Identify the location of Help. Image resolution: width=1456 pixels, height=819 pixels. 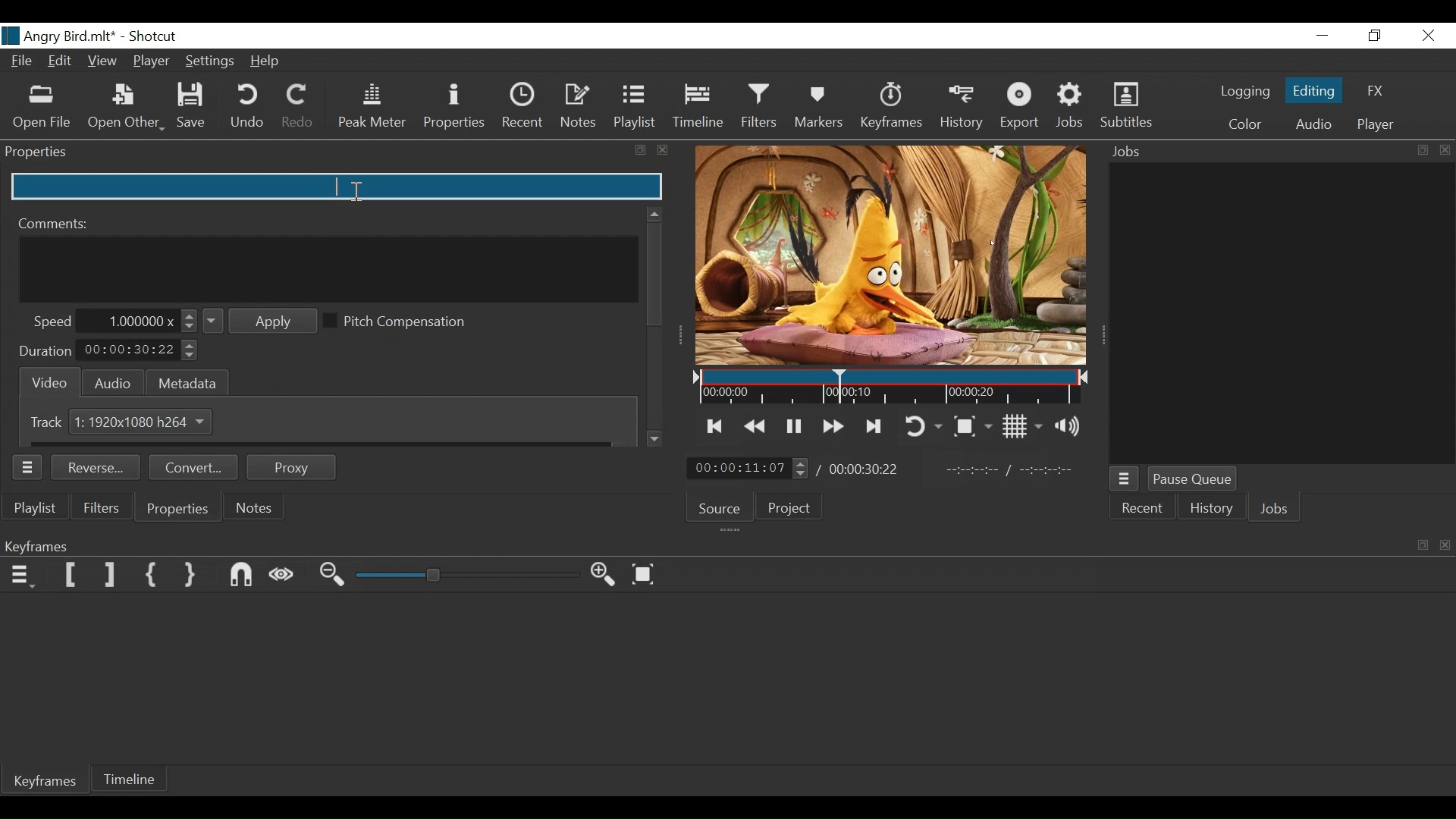
(267, 62).